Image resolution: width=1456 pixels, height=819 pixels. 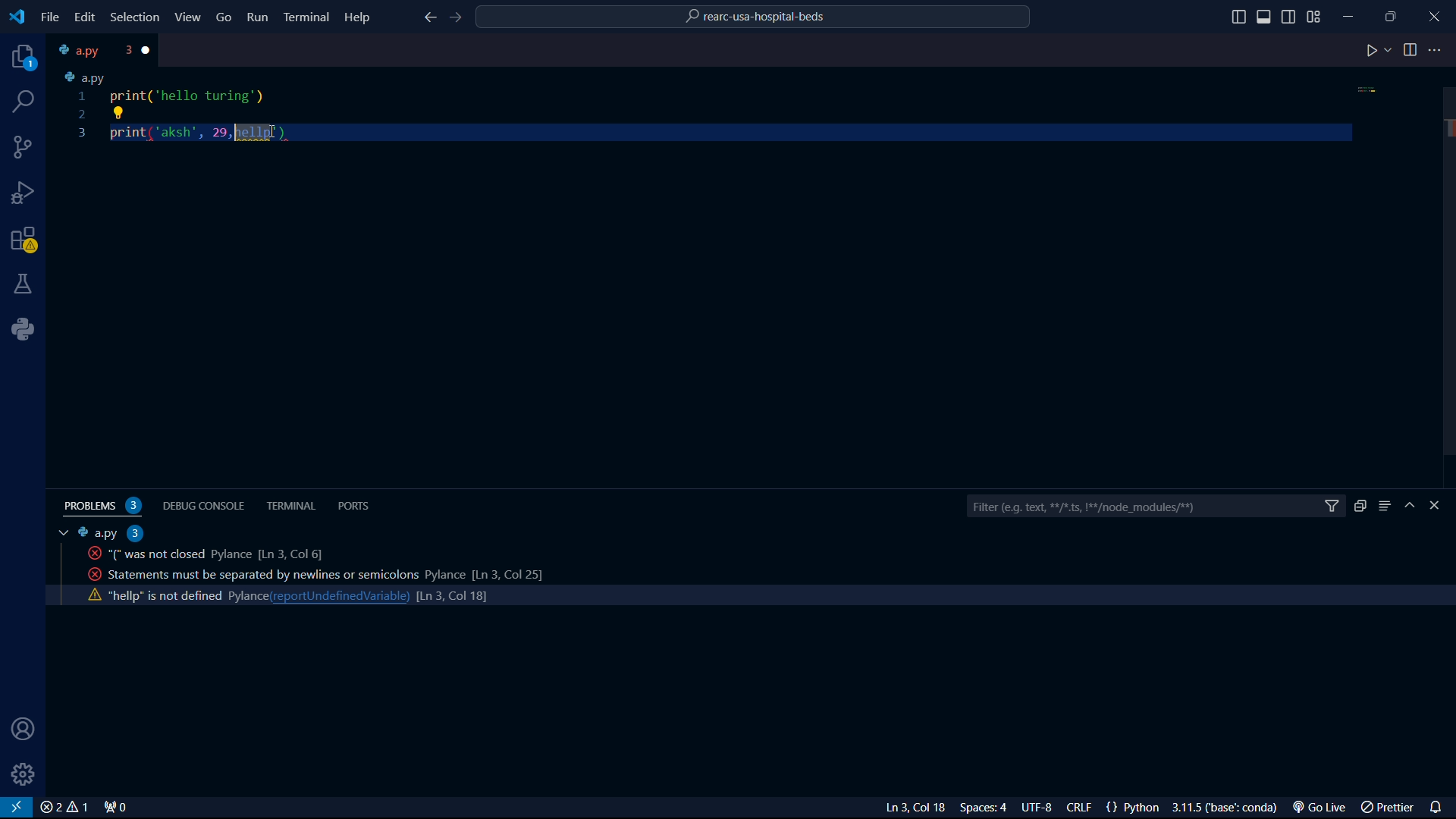 I want to click on connect 0, so click(x=118, y=808).